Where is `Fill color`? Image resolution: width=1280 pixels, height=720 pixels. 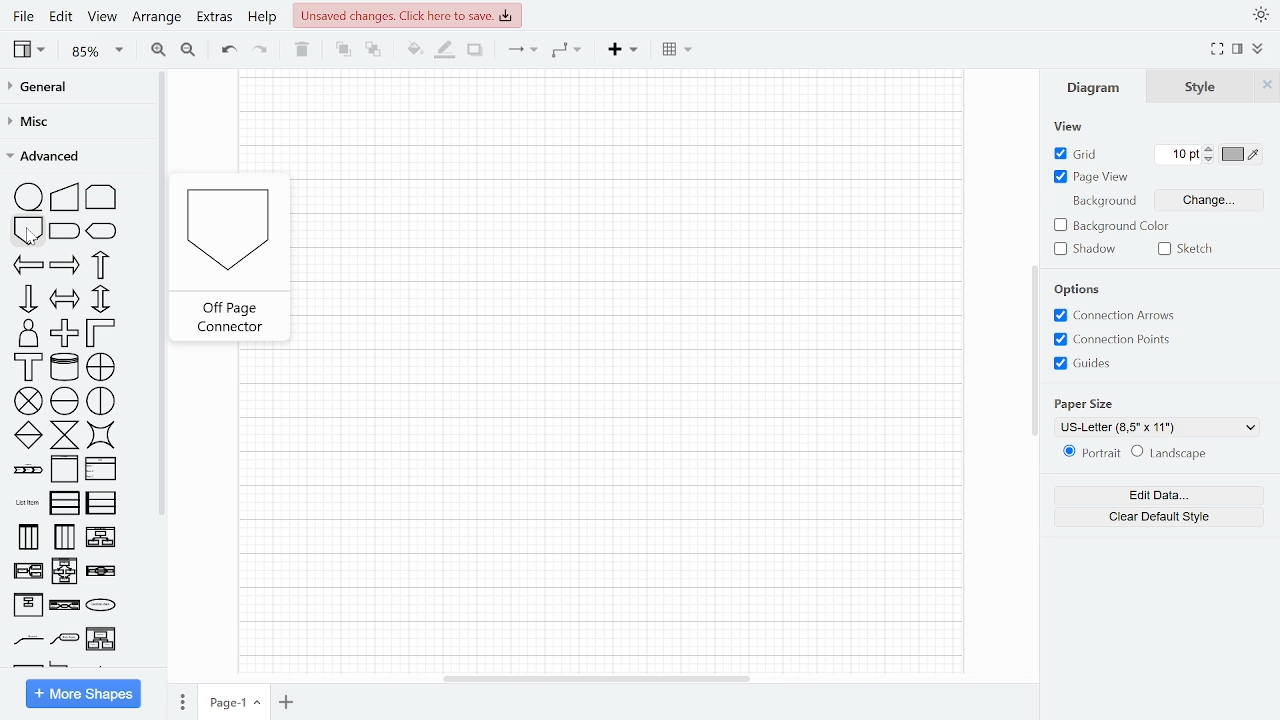
Fill color is located at coordinates (414, 52).